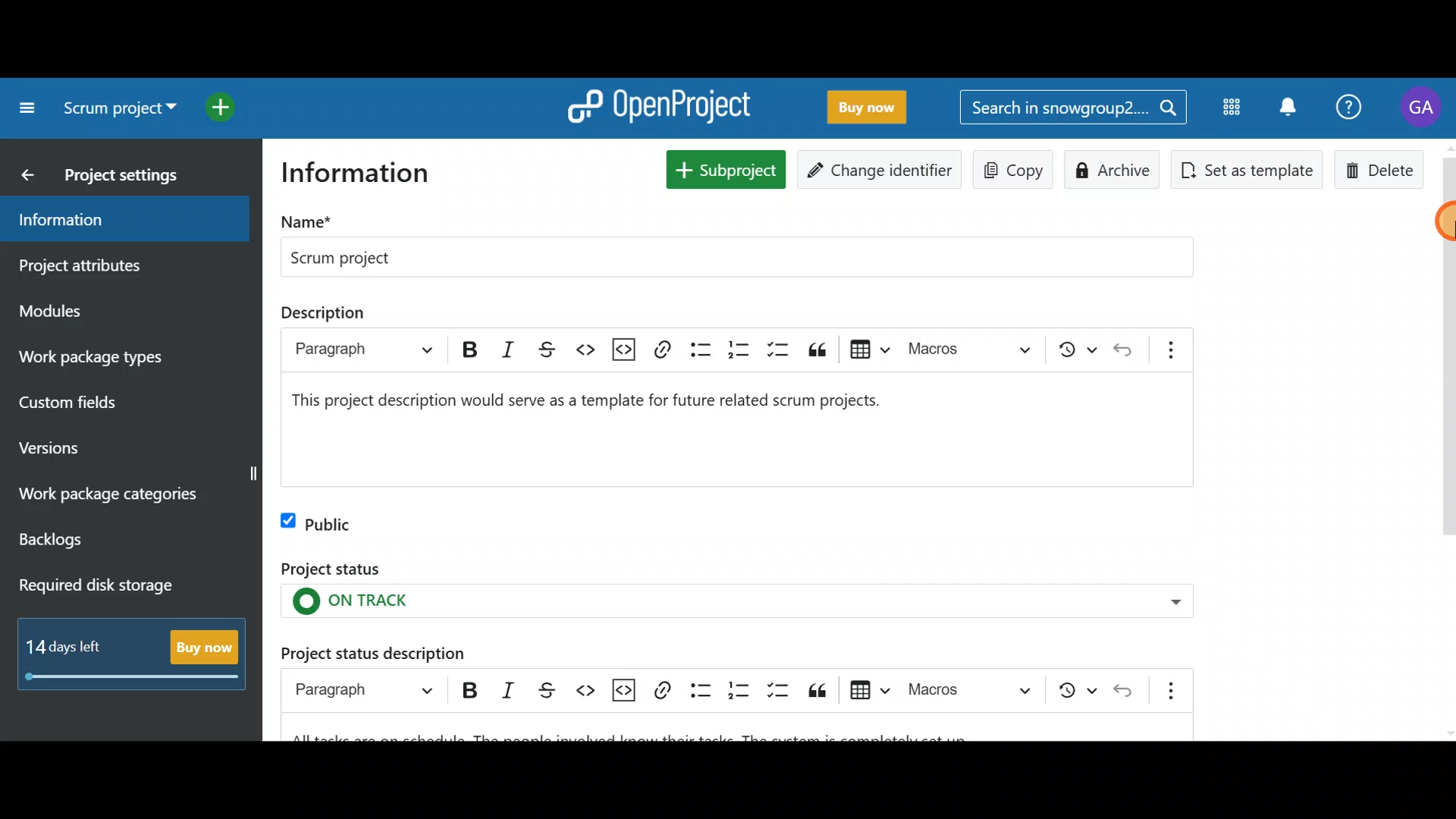  What do you see at coordinates (700, 689) in the screenshot?
I see `Bulleted list` at bounding box center [700, 689].